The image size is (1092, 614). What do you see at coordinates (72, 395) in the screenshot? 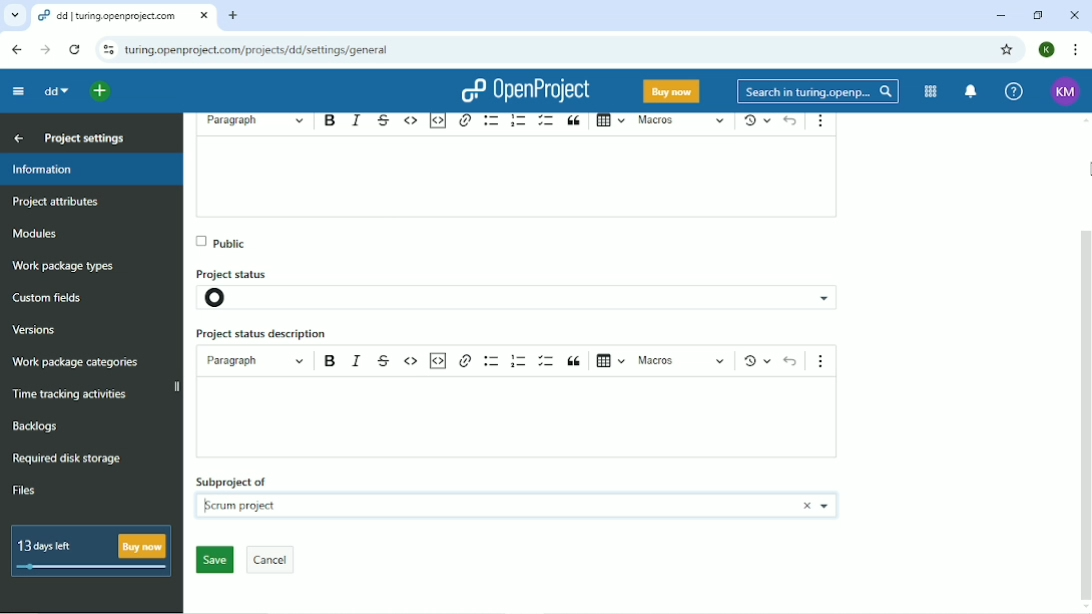
I see `Time racking activities` at bounding box center [72, 395].